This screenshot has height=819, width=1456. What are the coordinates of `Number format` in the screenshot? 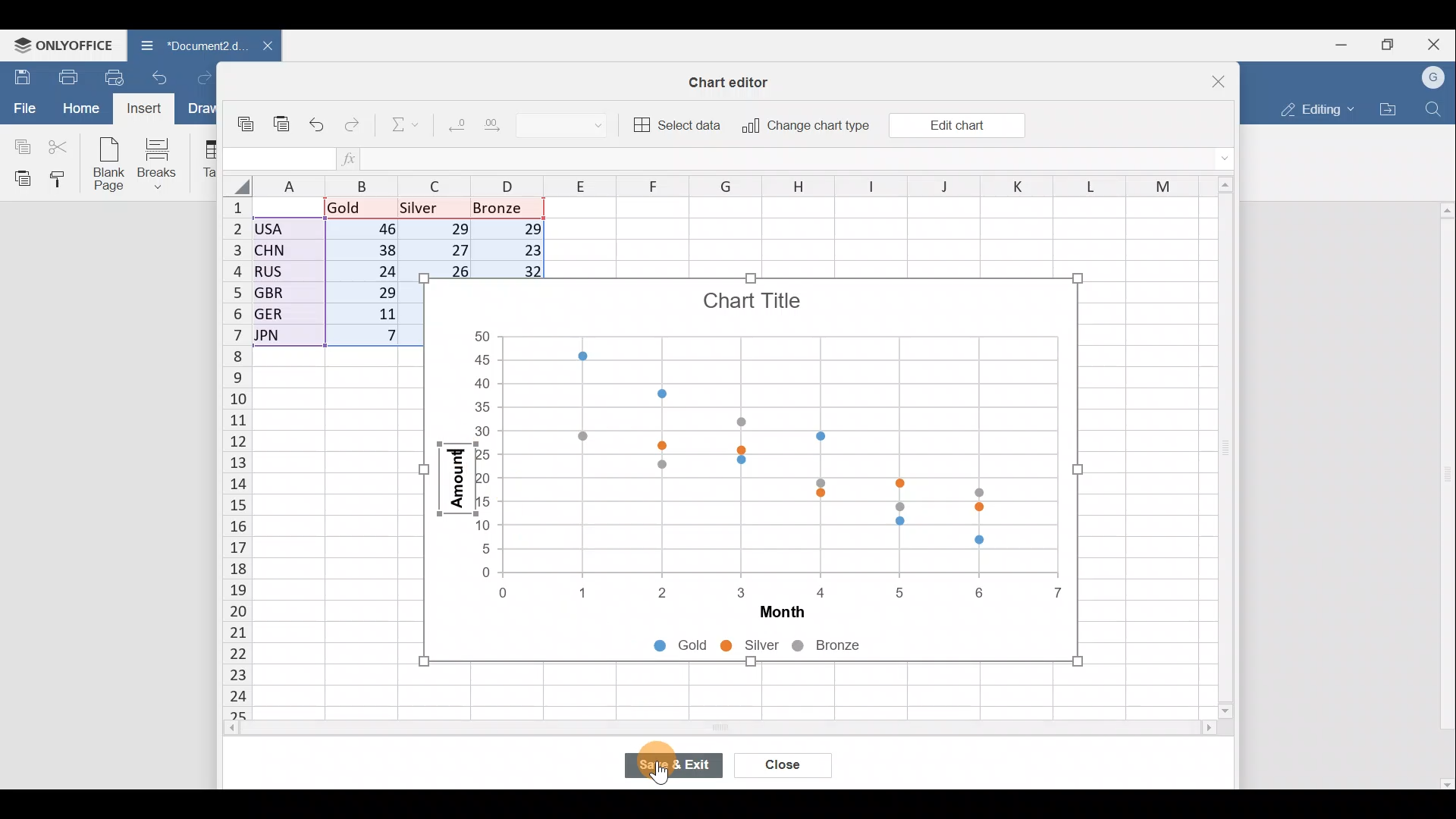 It's located at (576, 127).